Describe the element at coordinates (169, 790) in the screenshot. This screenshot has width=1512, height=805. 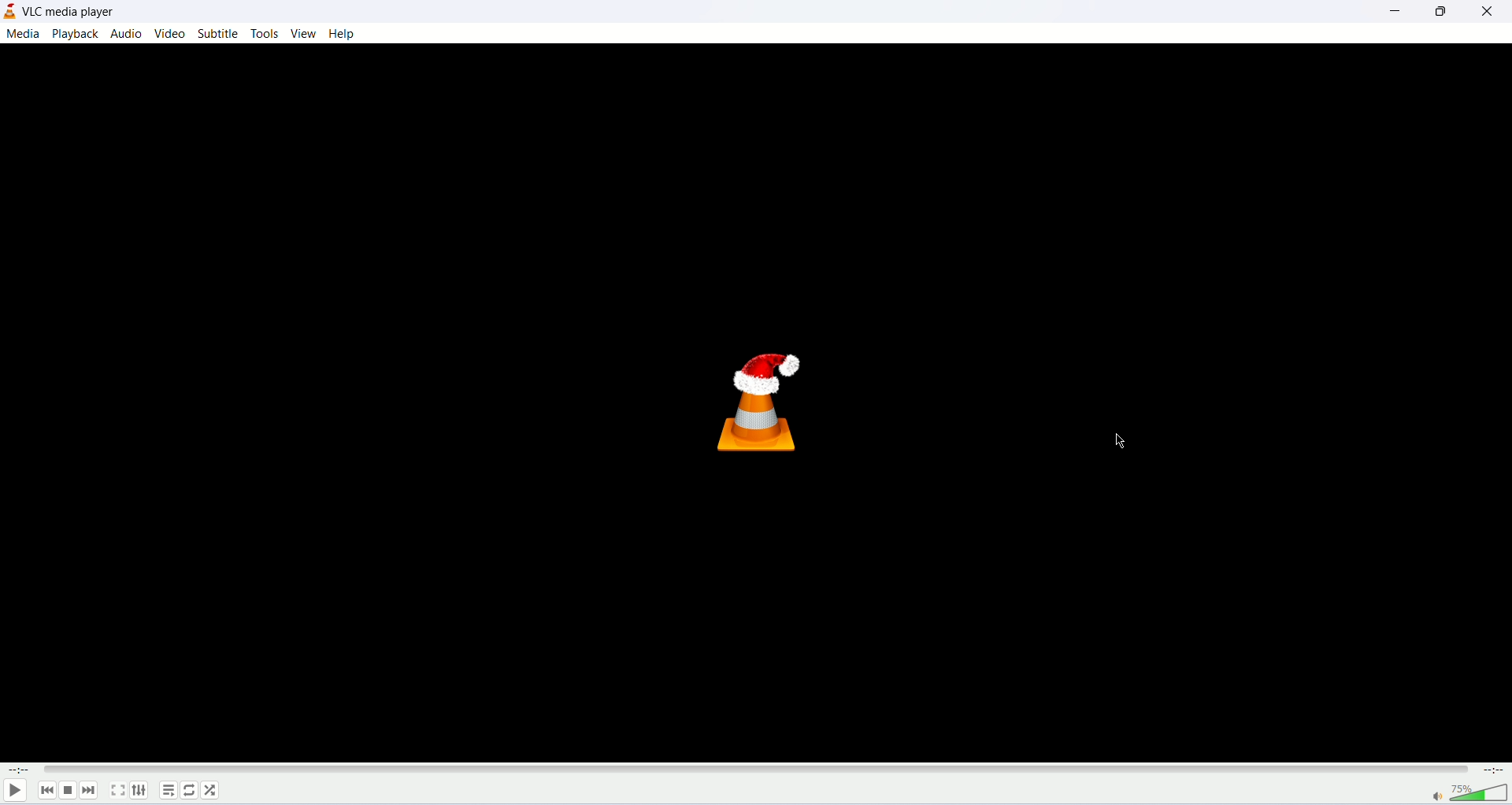
I see `playlist` at that location.